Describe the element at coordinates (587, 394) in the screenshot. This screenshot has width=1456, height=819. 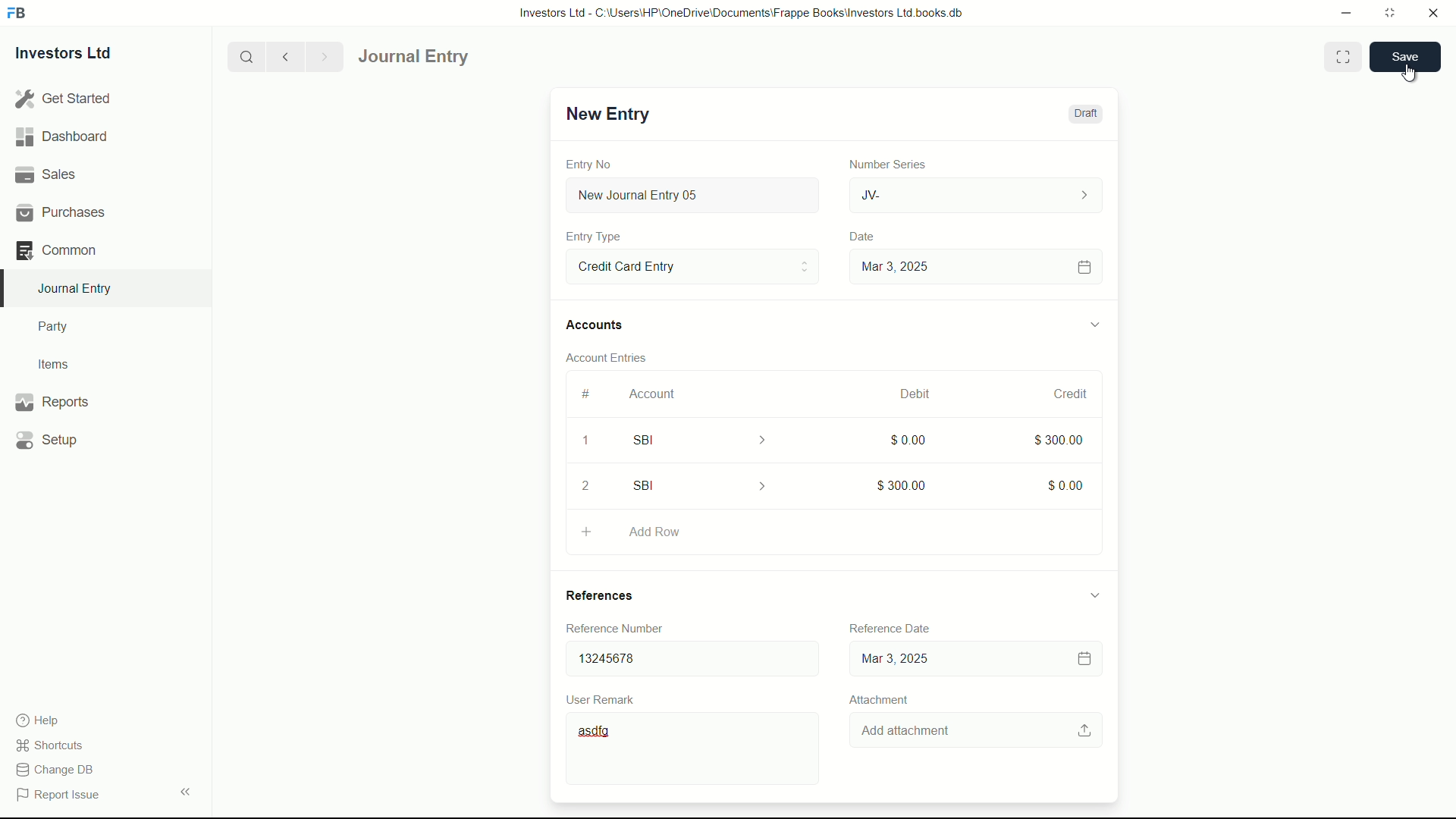
I see `#` at that location.